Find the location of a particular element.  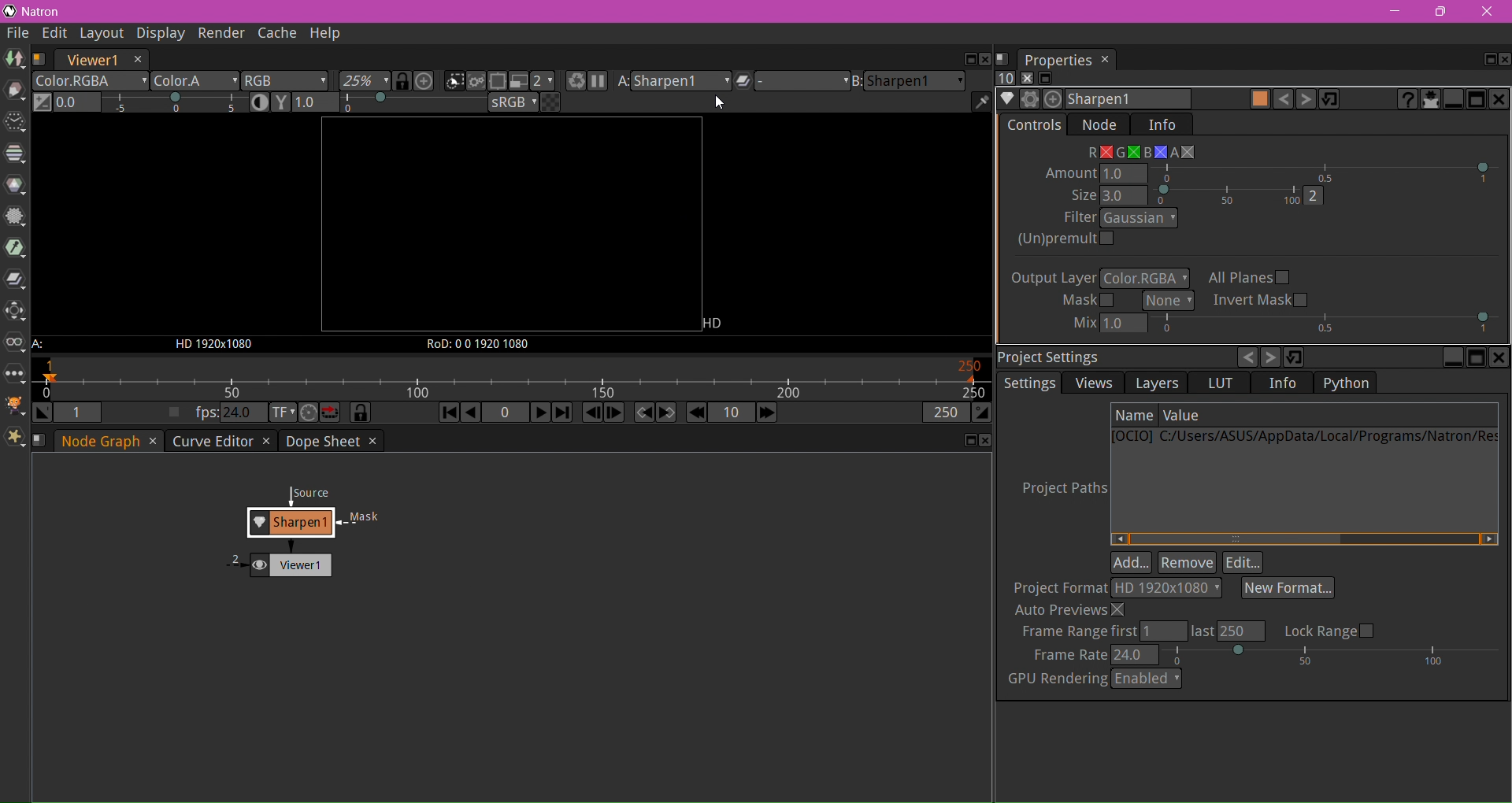

Current Farme Number is located at coordinates (505, 413).